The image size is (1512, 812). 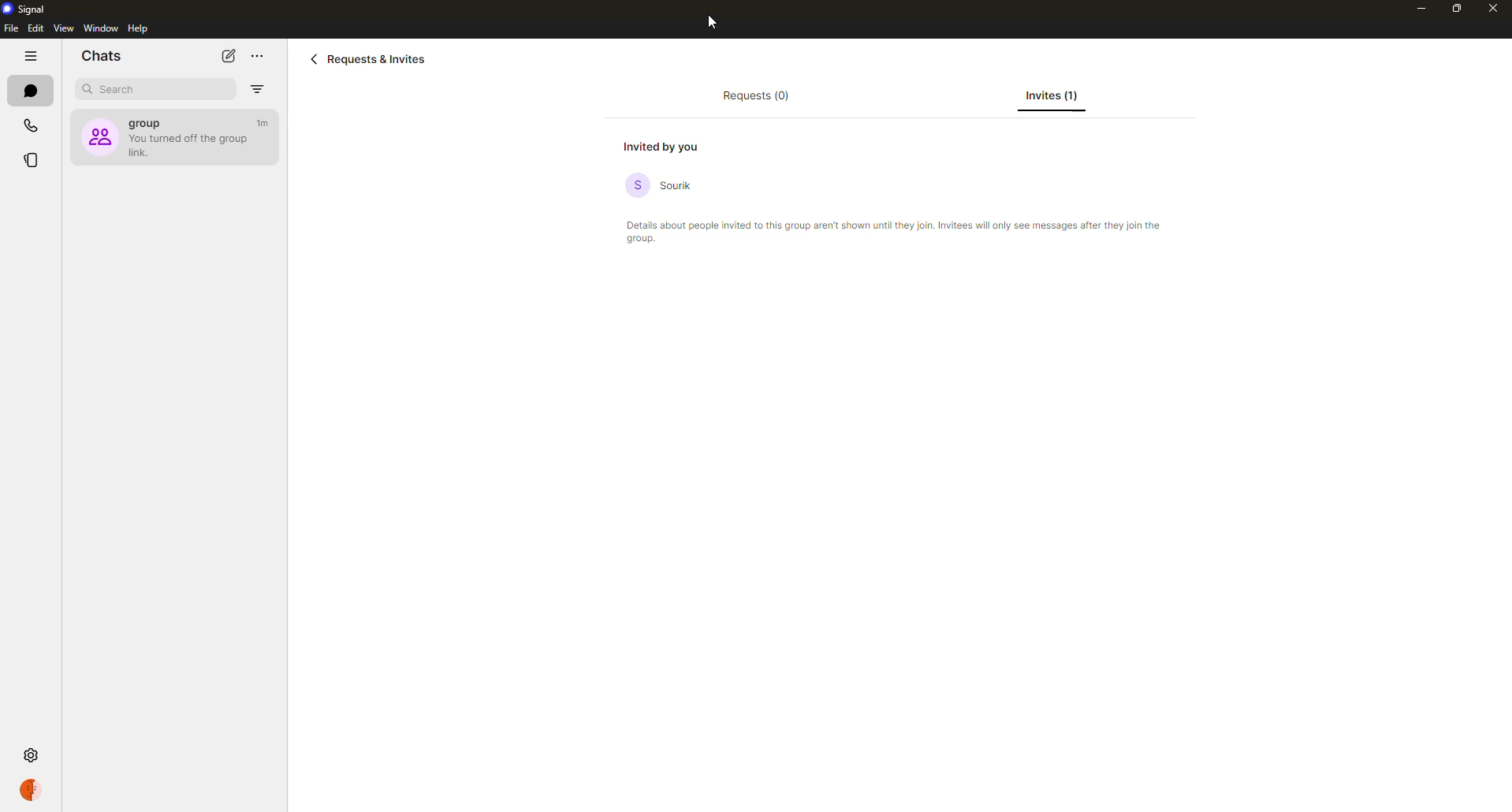 I want to click on settings, so click(x=30, y=754).